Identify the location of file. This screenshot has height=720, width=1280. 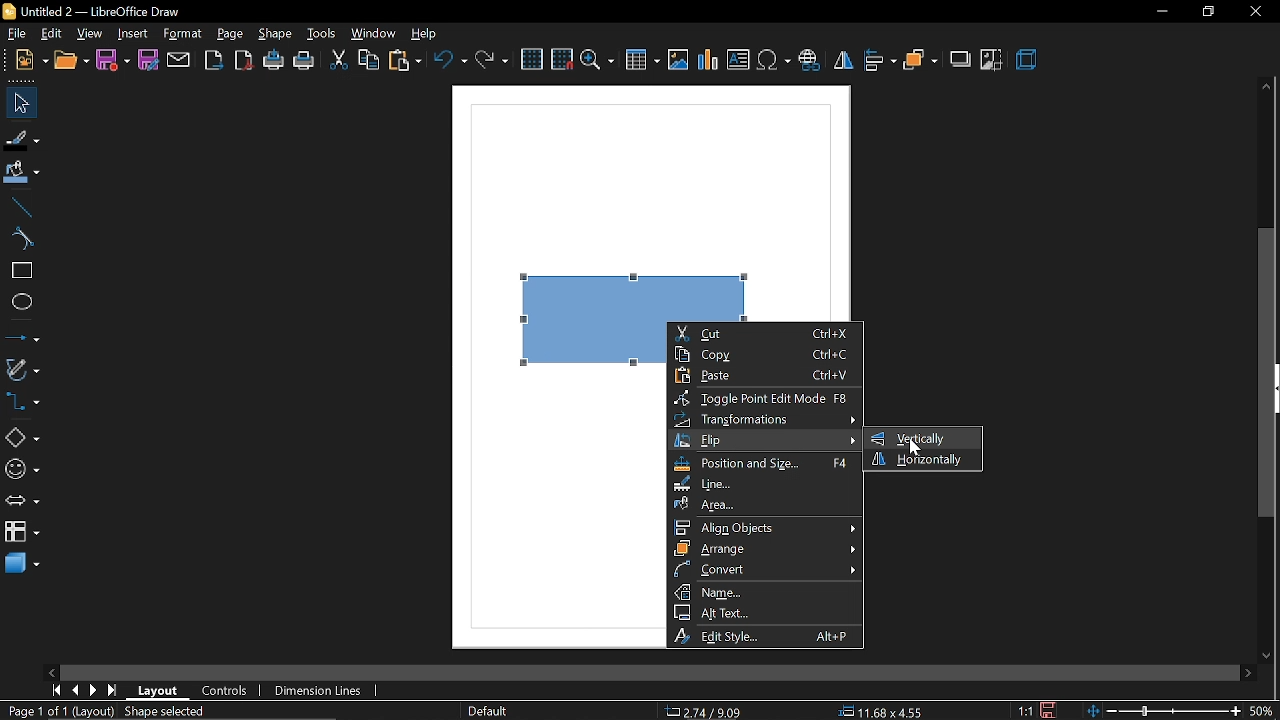
(18, 33).